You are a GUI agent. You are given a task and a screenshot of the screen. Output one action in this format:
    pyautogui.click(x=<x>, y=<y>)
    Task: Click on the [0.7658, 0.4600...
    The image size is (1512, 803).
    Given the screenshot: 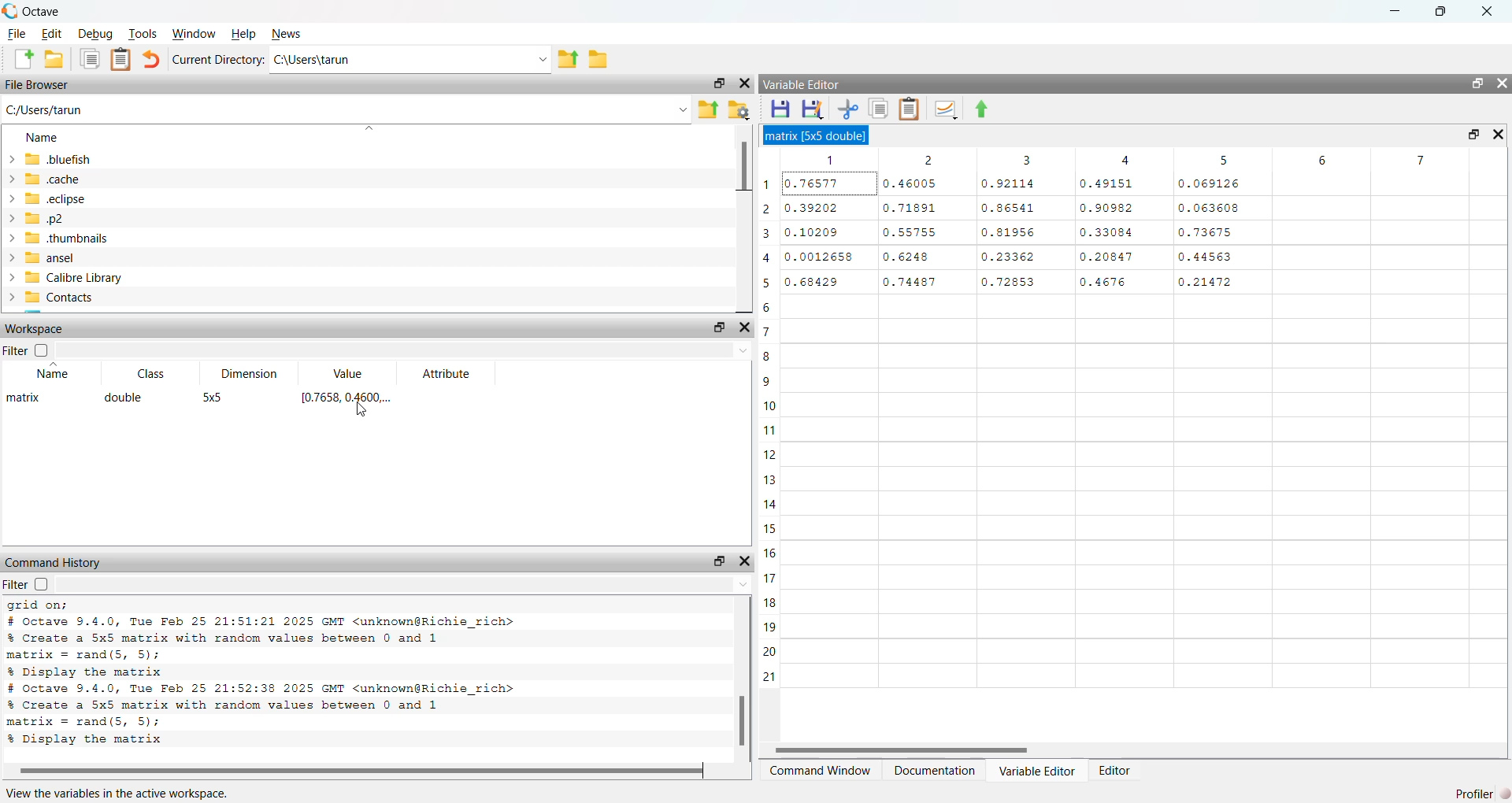 What is the action you would take?
    pyautogui.click(x=350, y=398)
    